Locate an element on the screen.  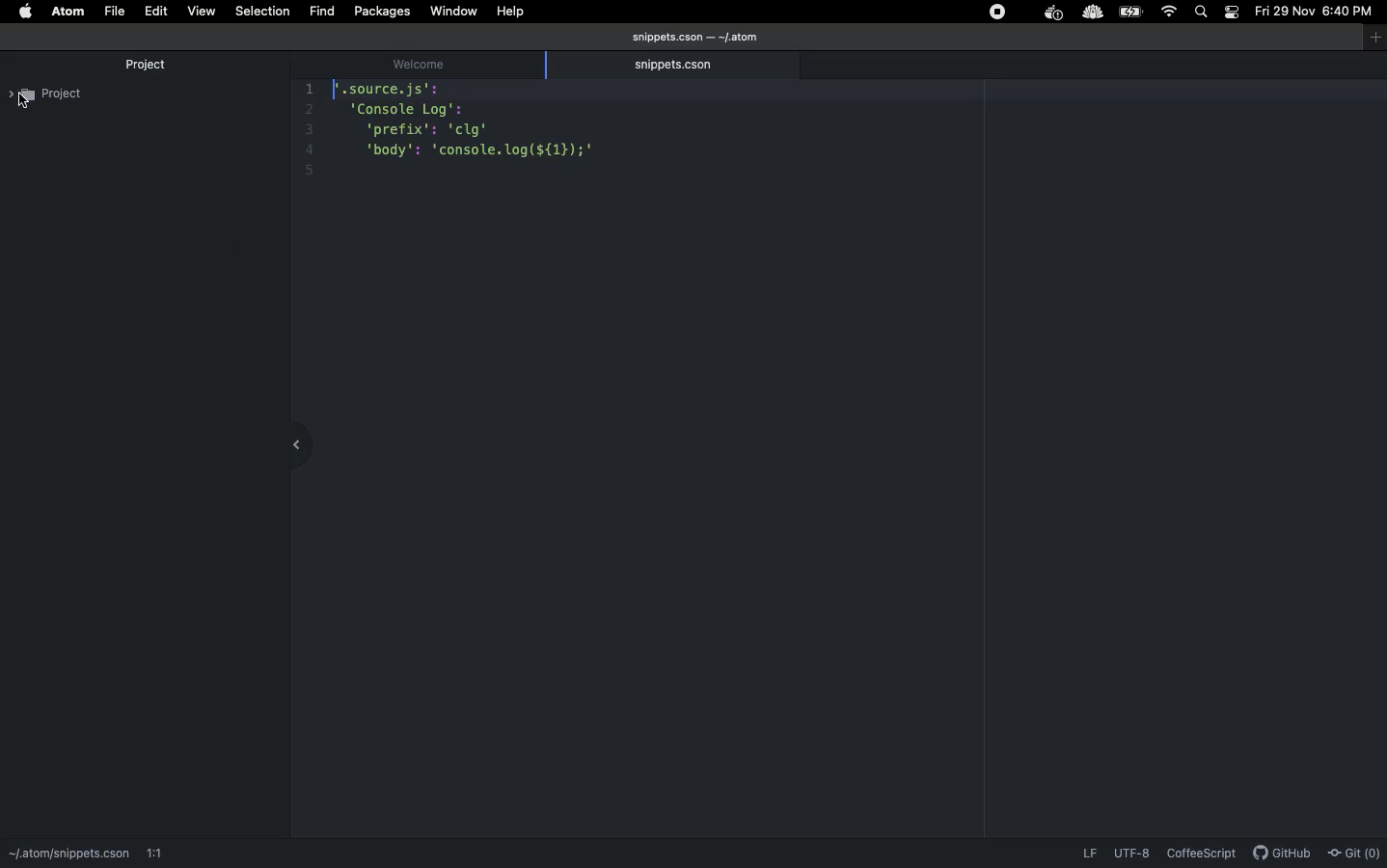
cursor is located at coordinates (24, 101).